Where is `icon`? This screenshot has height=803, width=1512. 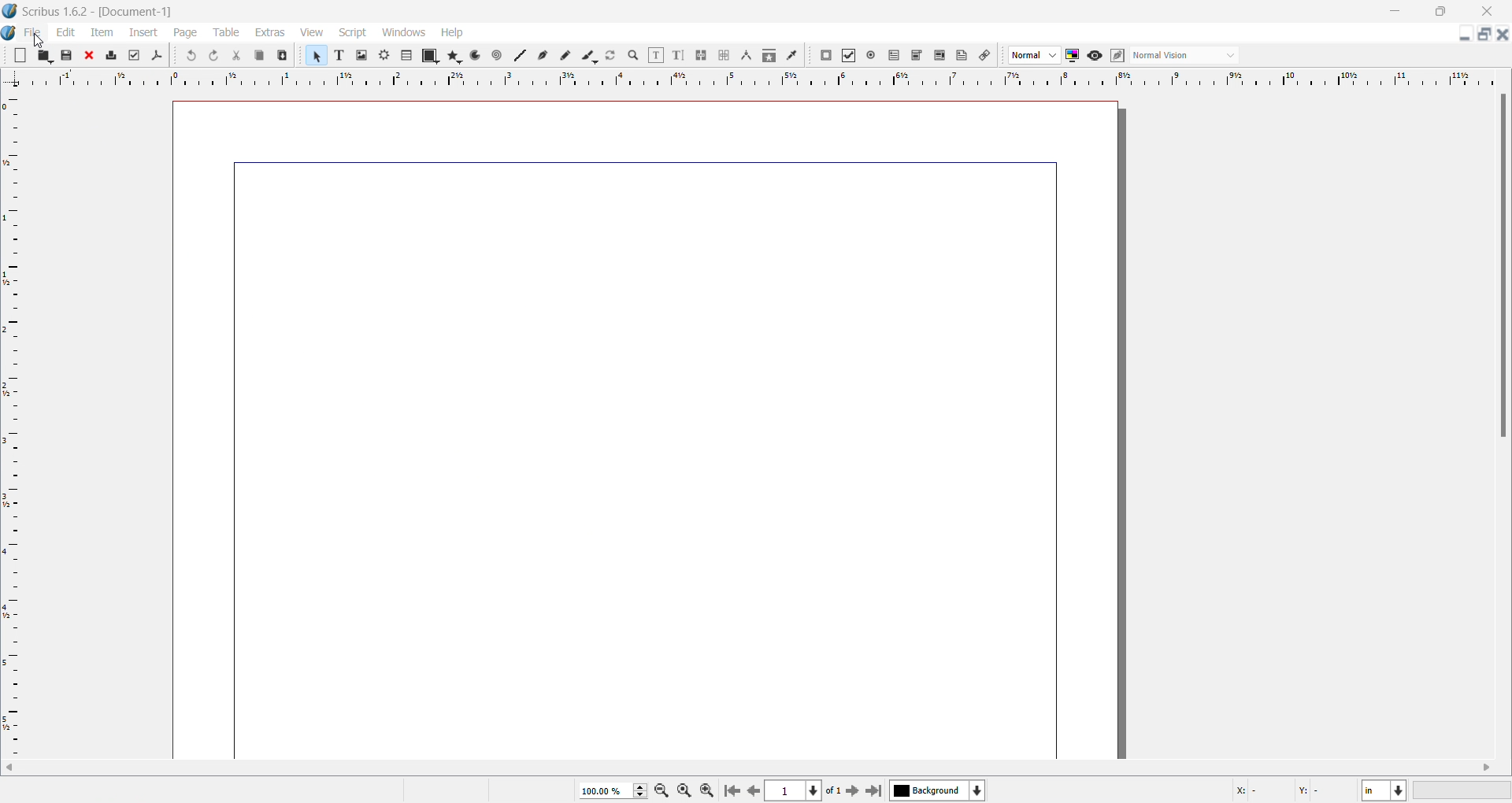
icon is located at coordinates (984, 56).